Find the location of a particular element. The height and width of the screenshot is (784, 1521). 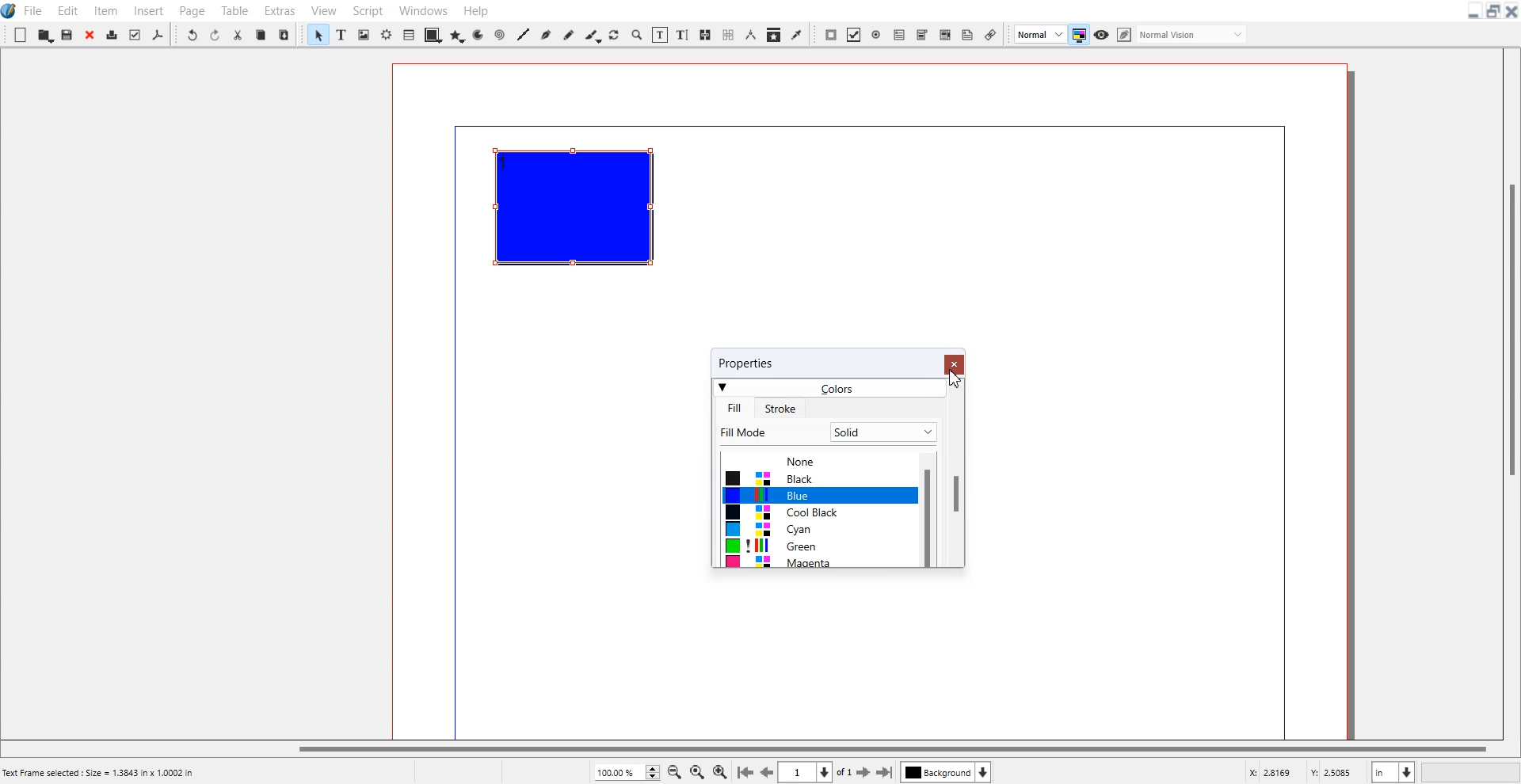

Minimize is located at coordinates (1474, 11).